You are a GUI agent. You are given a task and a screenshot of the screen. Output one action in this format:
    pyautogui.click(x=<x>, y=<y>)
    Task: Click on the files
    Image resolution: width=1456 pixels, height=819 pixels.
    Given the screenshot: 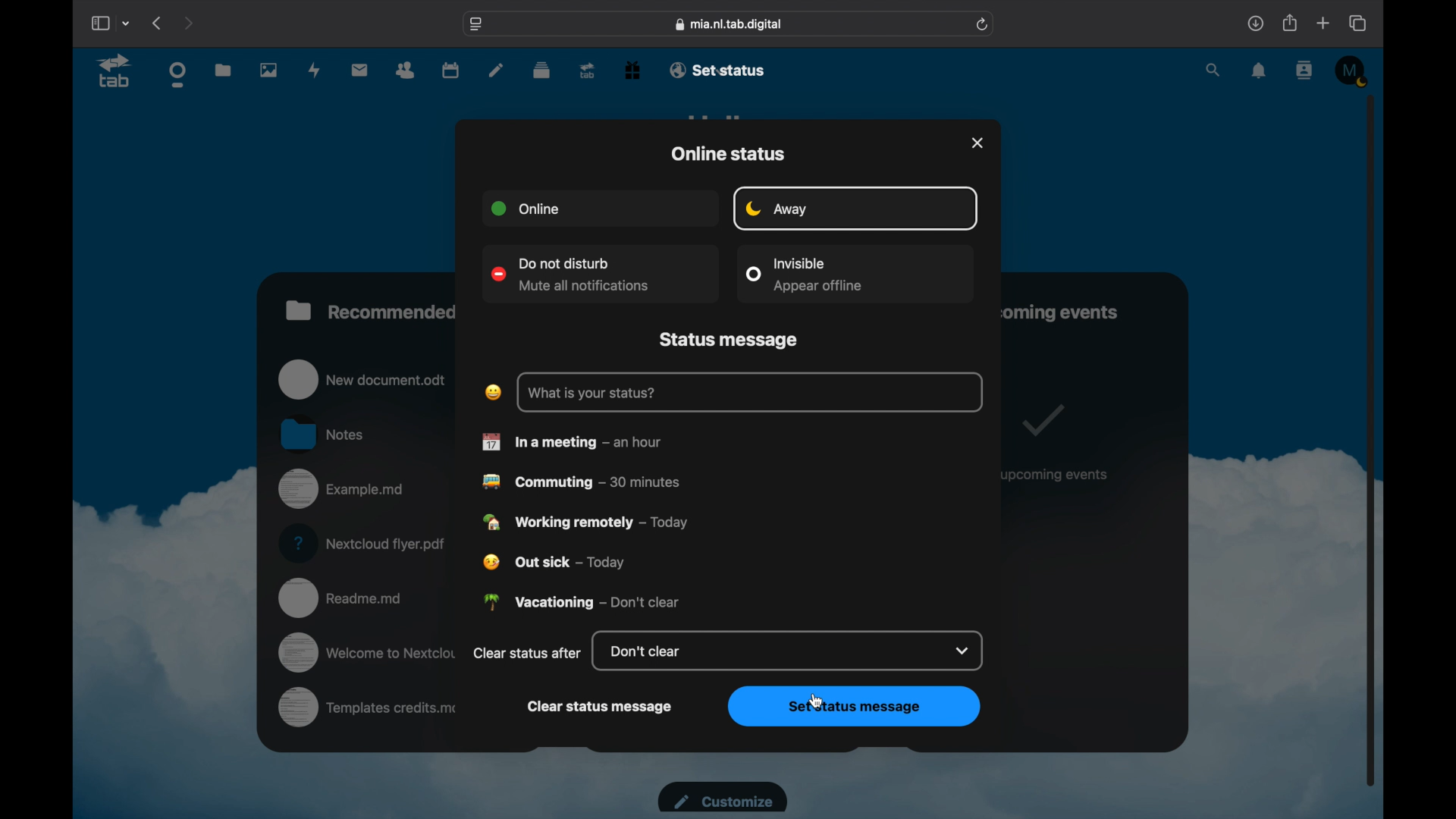 What is the action you would take?
    pyautogui.click(x=224, y=70)
    